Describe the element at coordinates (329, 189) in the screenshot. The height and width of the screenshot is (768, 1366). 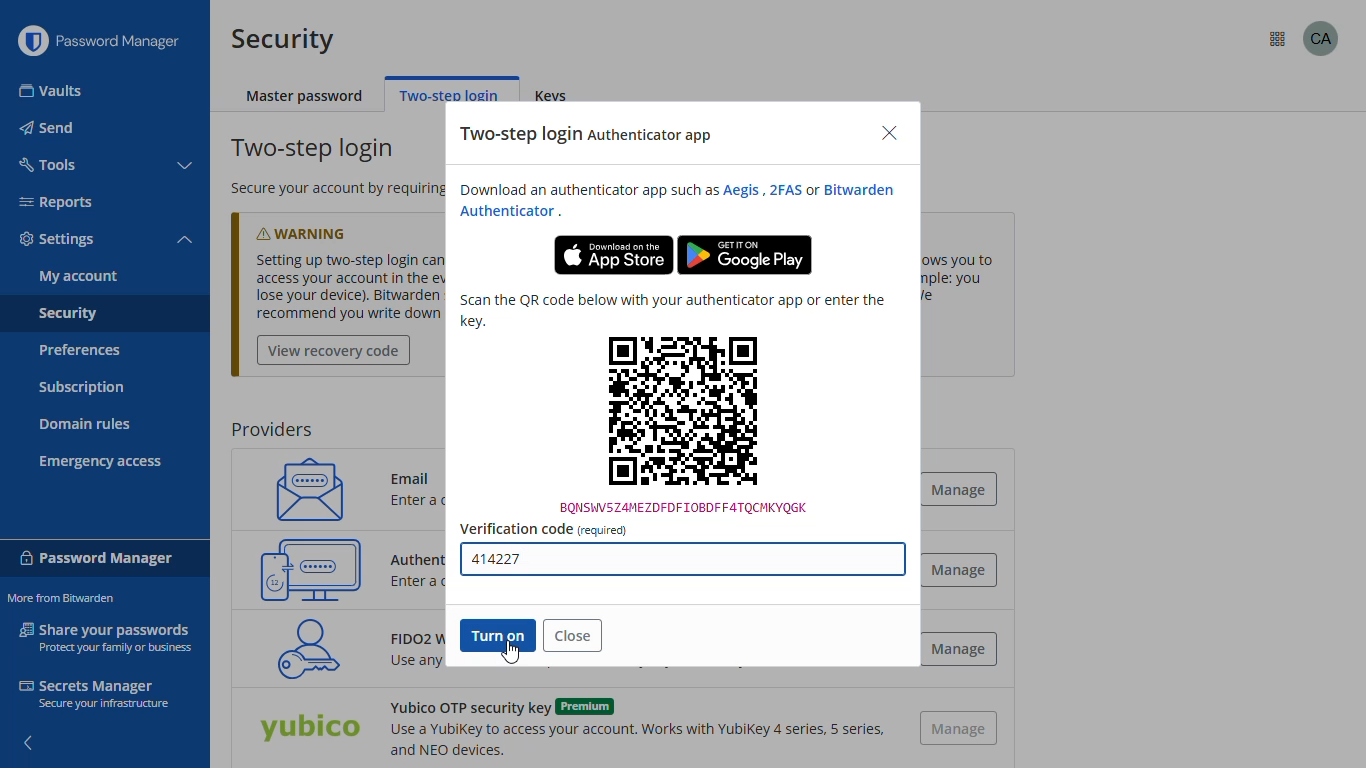
I see `secure your account by requiring an additional step when logging in` at that location.